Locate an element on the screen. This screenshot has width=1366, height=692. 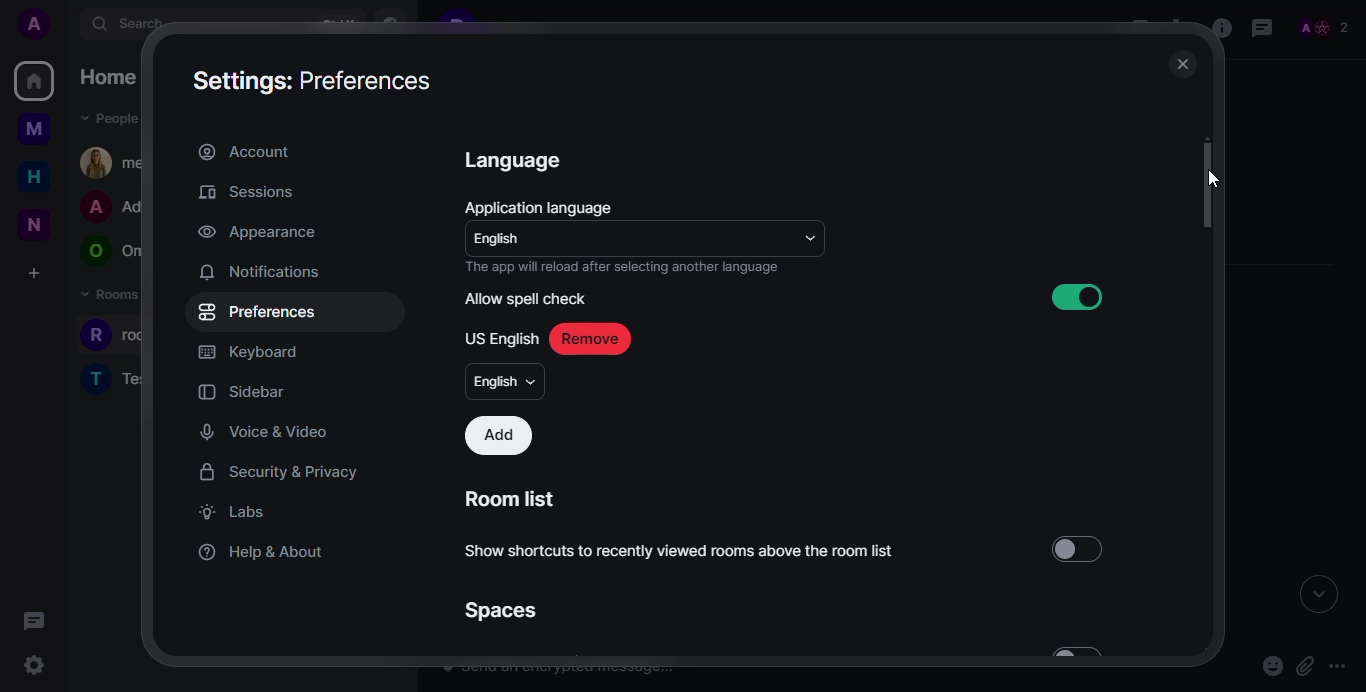
scroll bar is located at coordinates (1210, 181).